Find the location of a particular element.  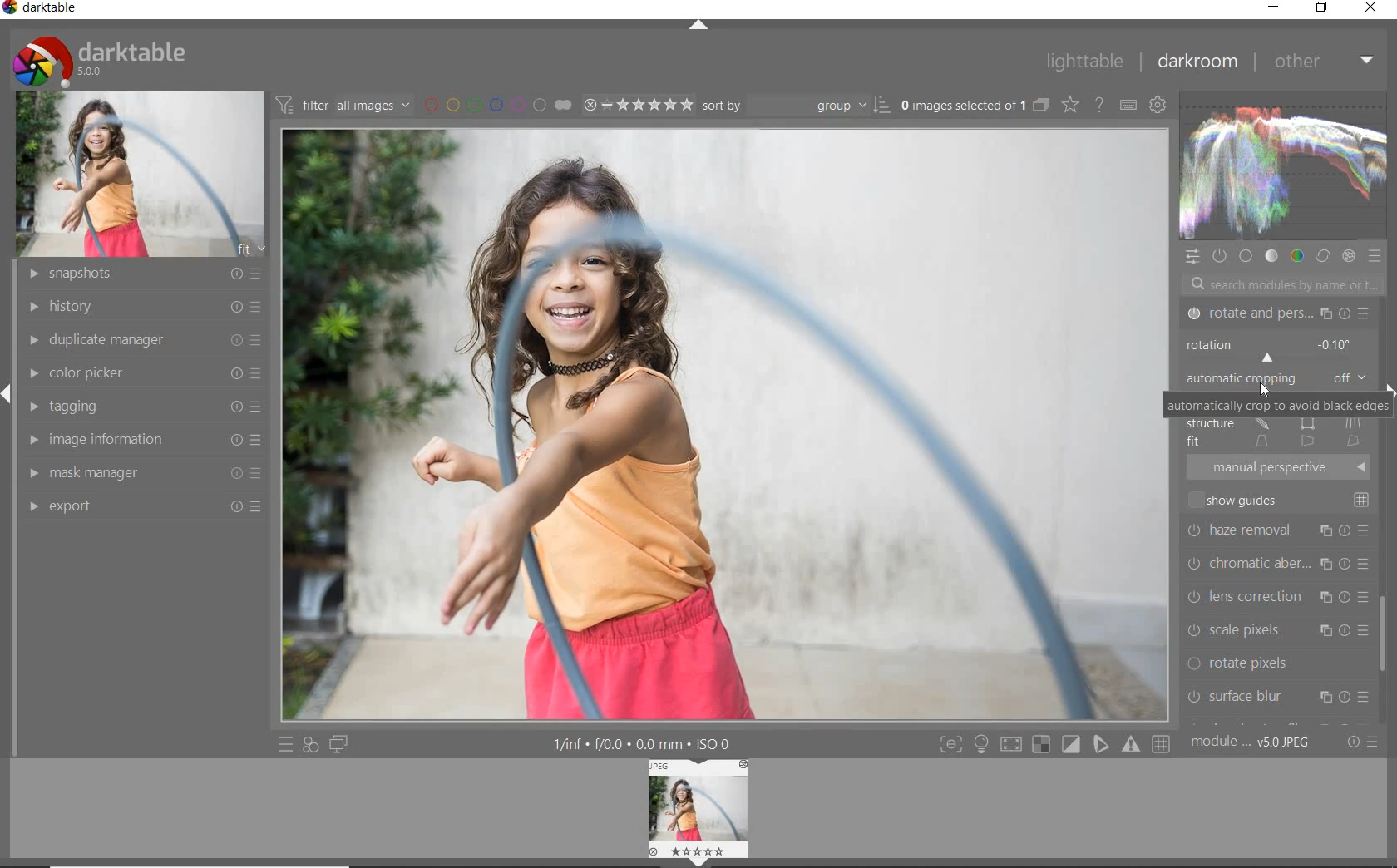

export is located at coordinates (146, 505).